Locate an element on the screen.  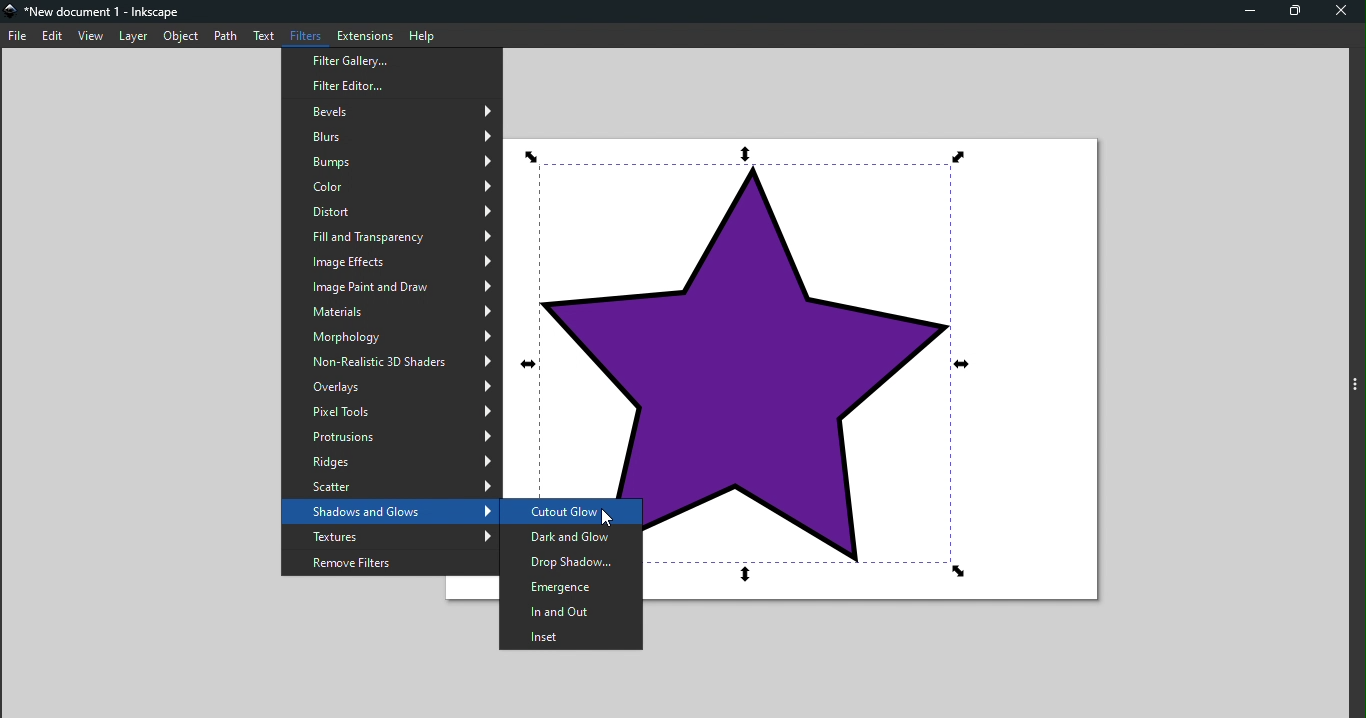
Bumps is located at coordinates (389, 164).